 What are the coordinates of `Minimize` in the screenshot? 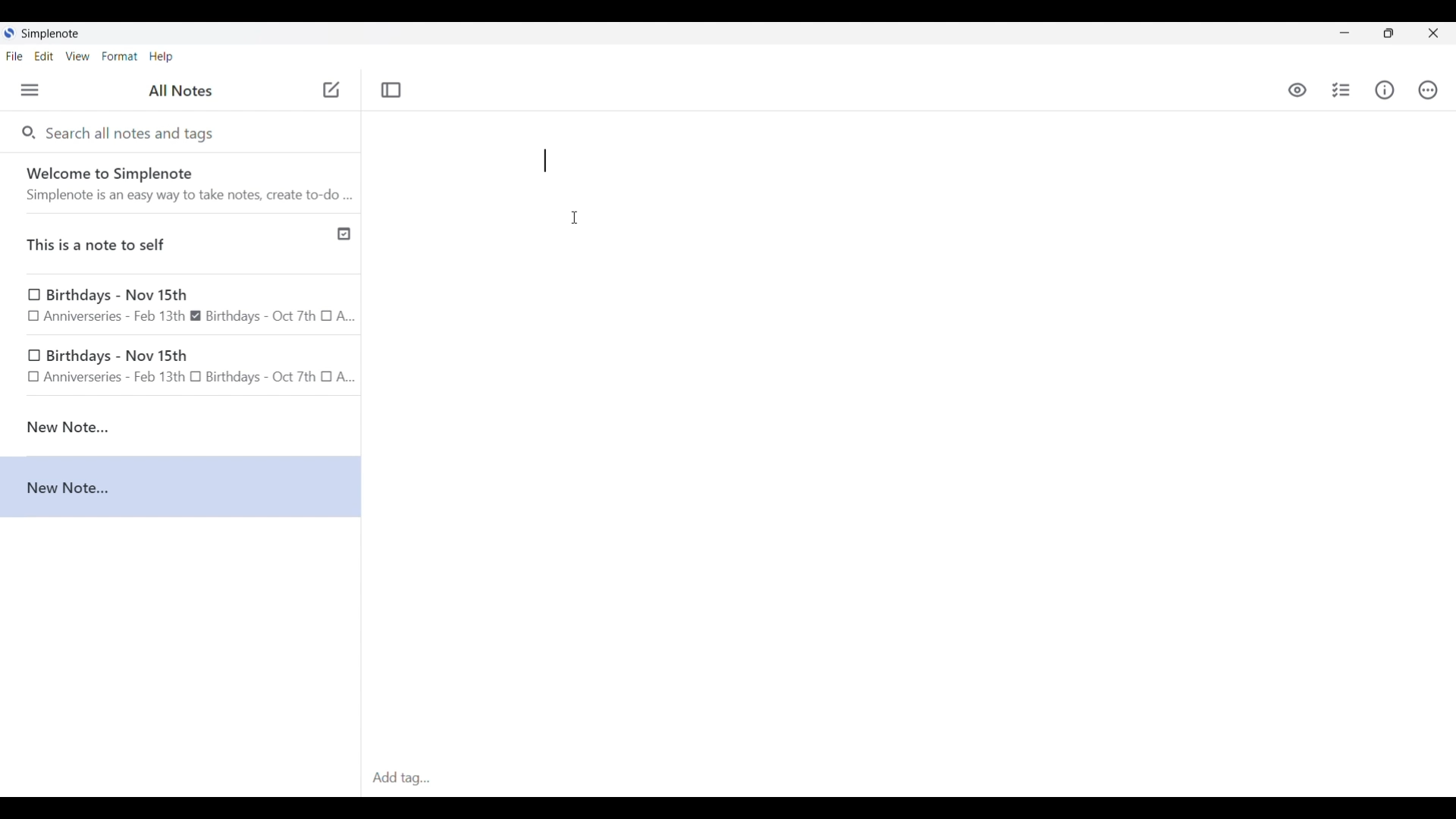 It's located at (1345, 33).